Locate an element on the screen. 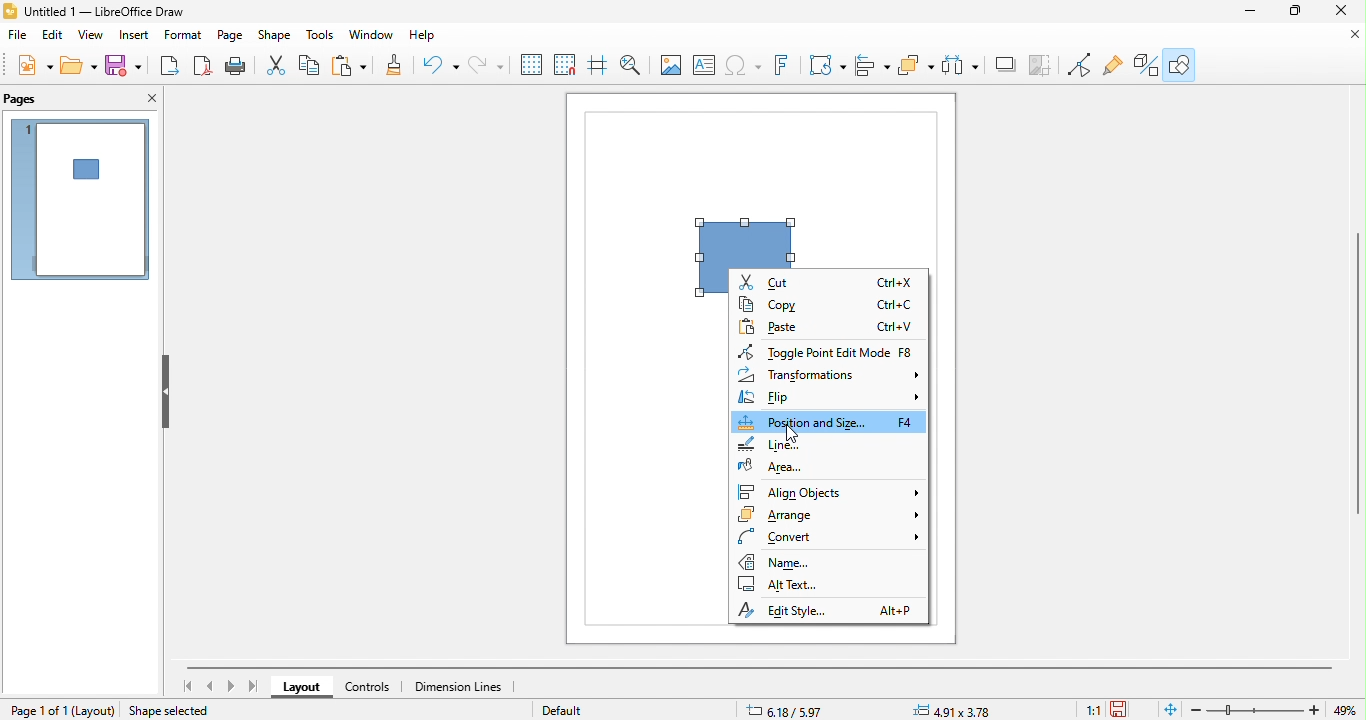 The image size is (1366, 720). transformation is located at coordinates (827, 65).